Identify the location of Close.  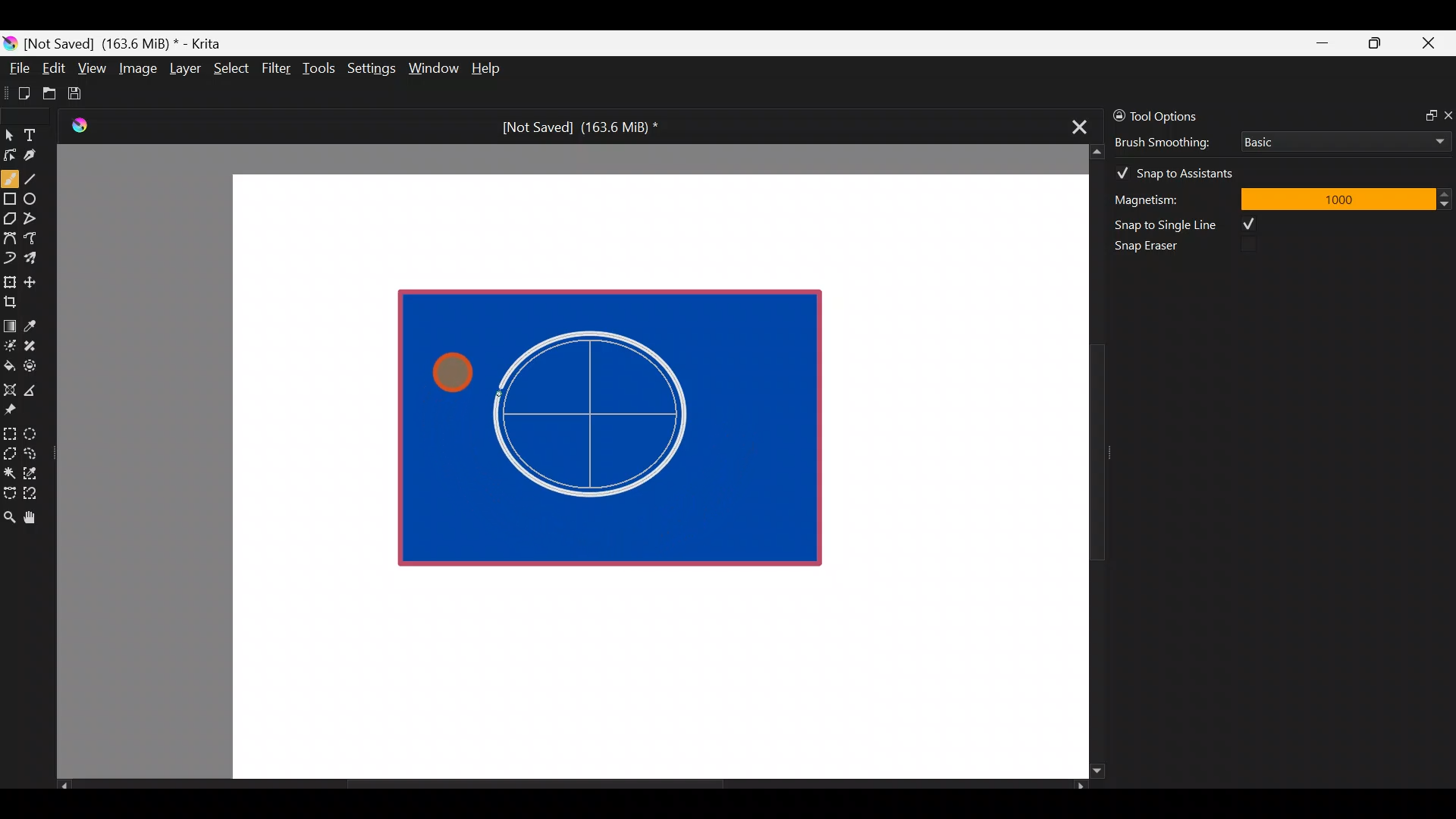
(1429, 46).